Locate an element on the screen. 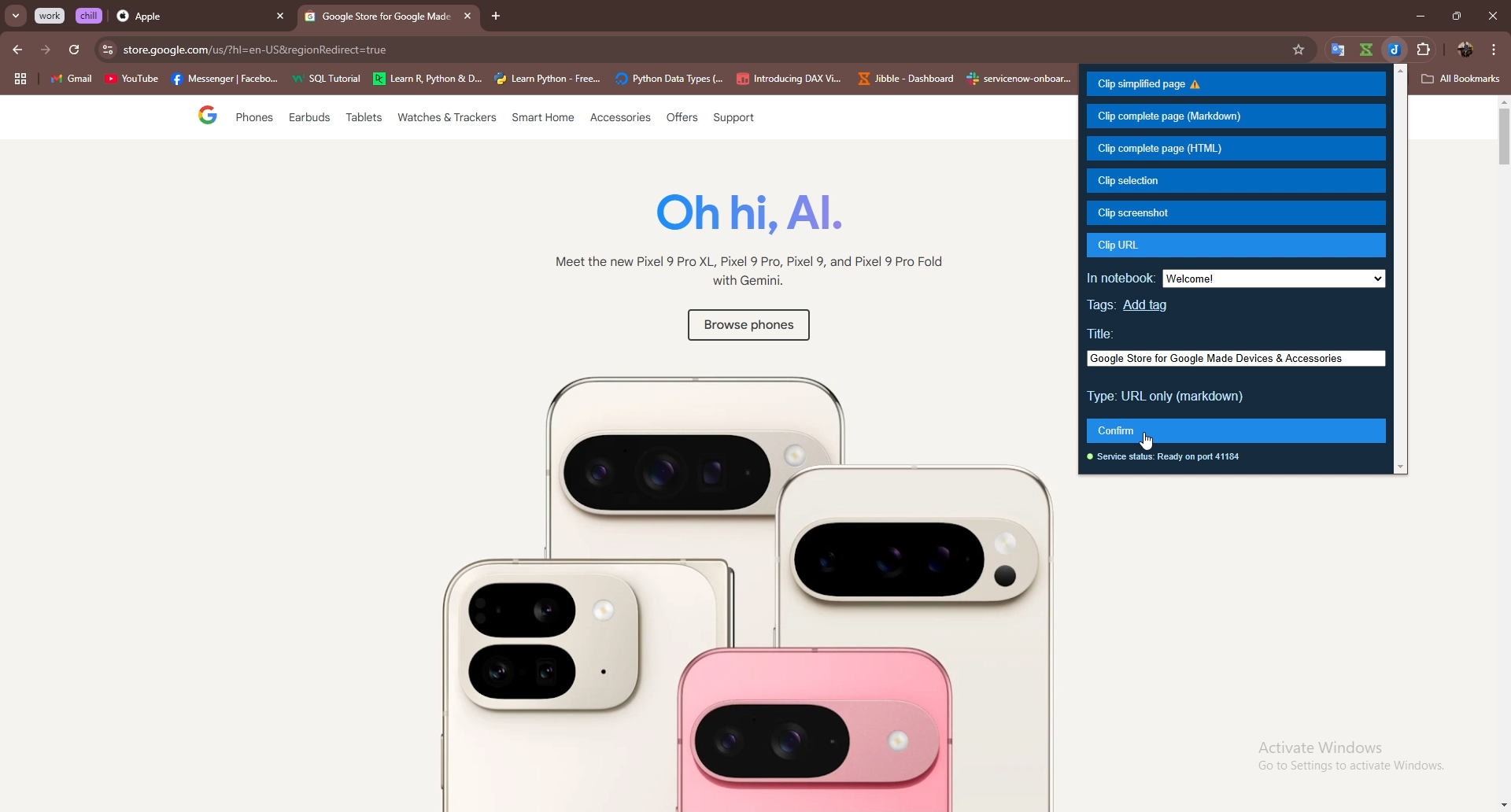 This screenshot has height=812, width=1511. @ Google Store for Google Mad is located at coordinates (378, 20).